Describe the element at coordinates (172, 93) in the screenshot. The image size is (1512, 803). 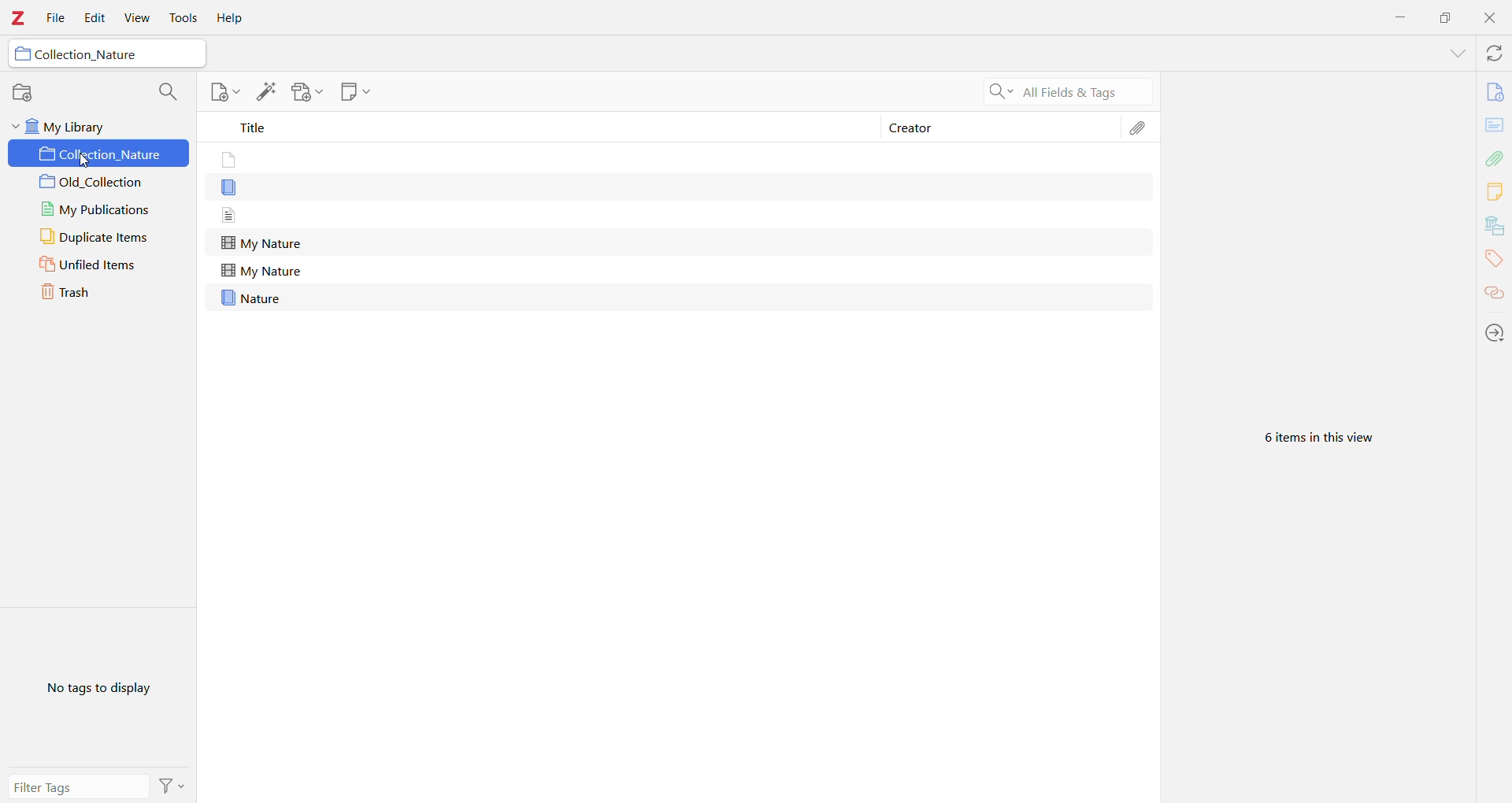
I see `Filter Collections` at that location.